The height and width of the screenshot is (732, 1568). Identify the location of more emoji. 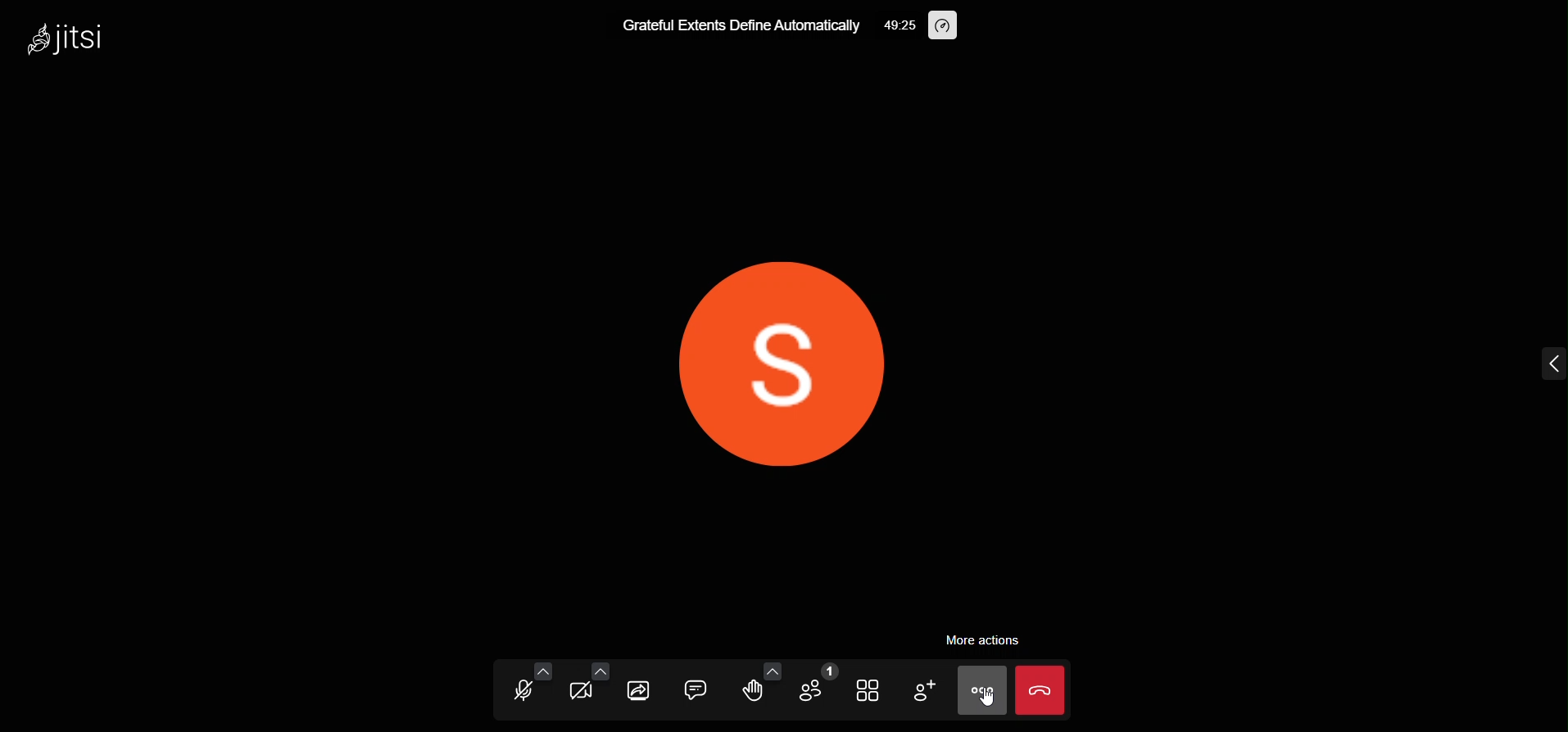
(775, 669).